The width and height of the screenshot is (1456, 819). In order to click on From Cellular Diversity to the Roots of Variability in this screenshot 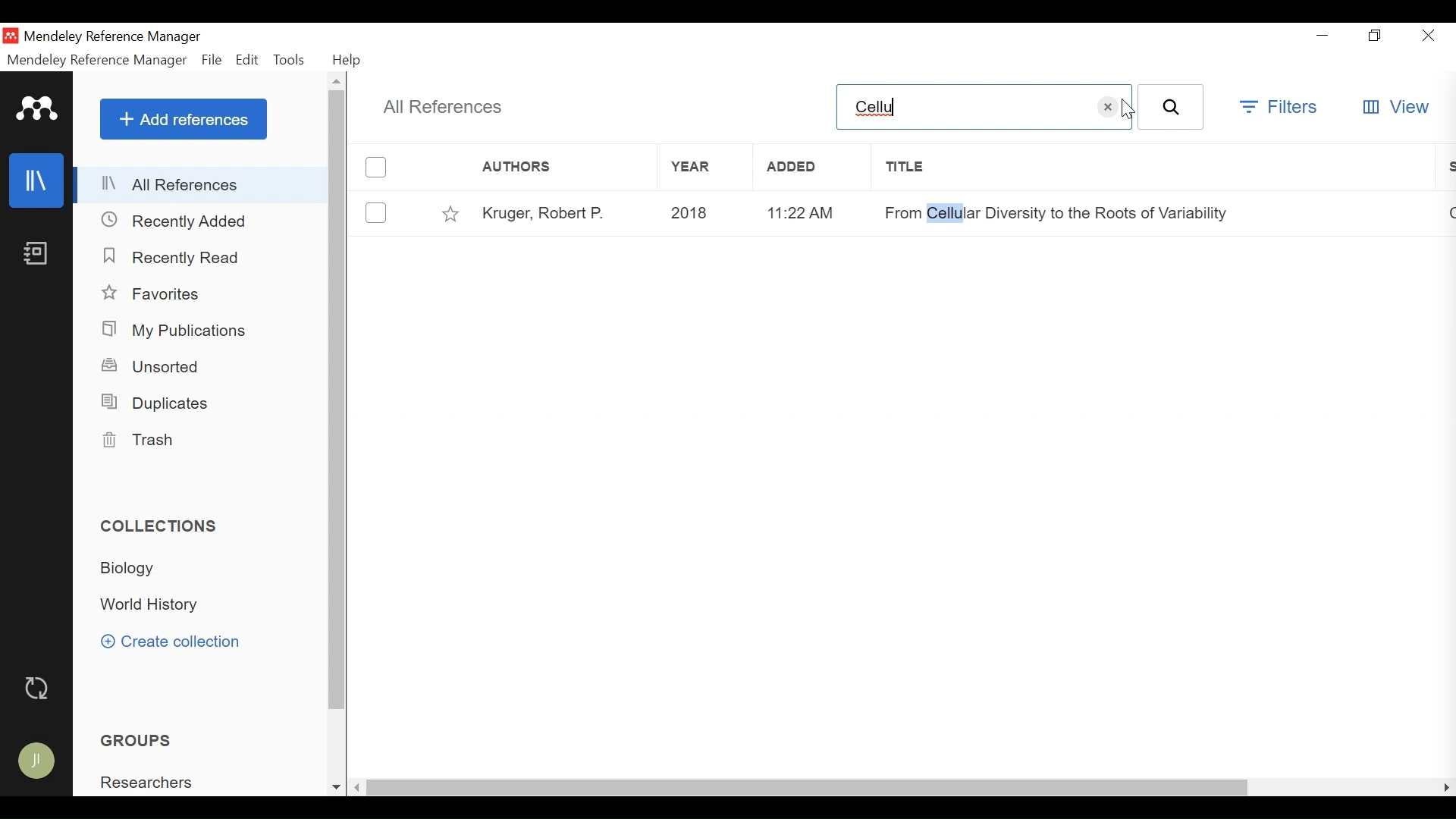, I will do `click(1056, 209)`.